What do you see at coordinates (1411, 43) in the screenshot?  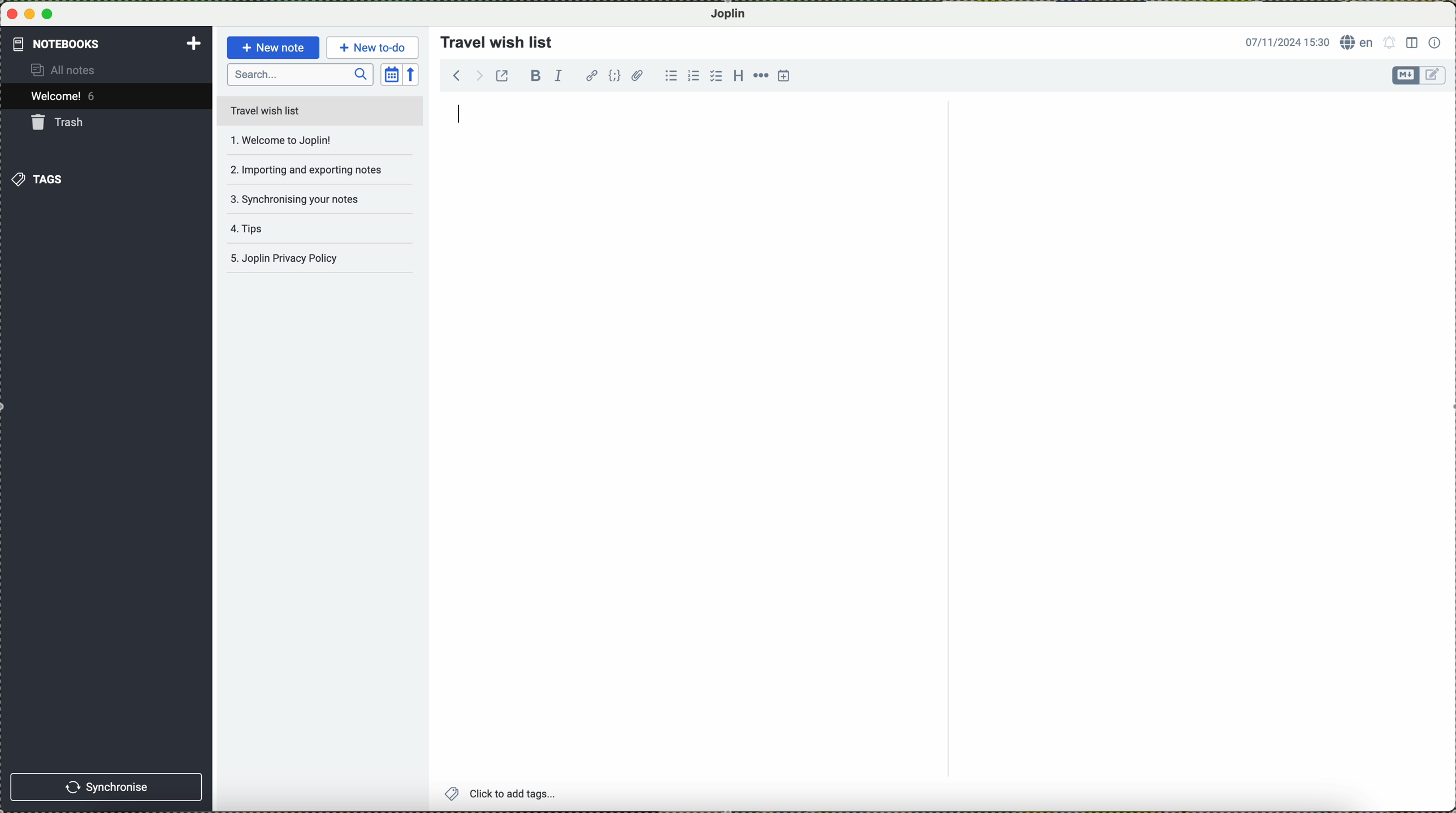 I see `toggle editor layout` at bounding box center [1411, 43].